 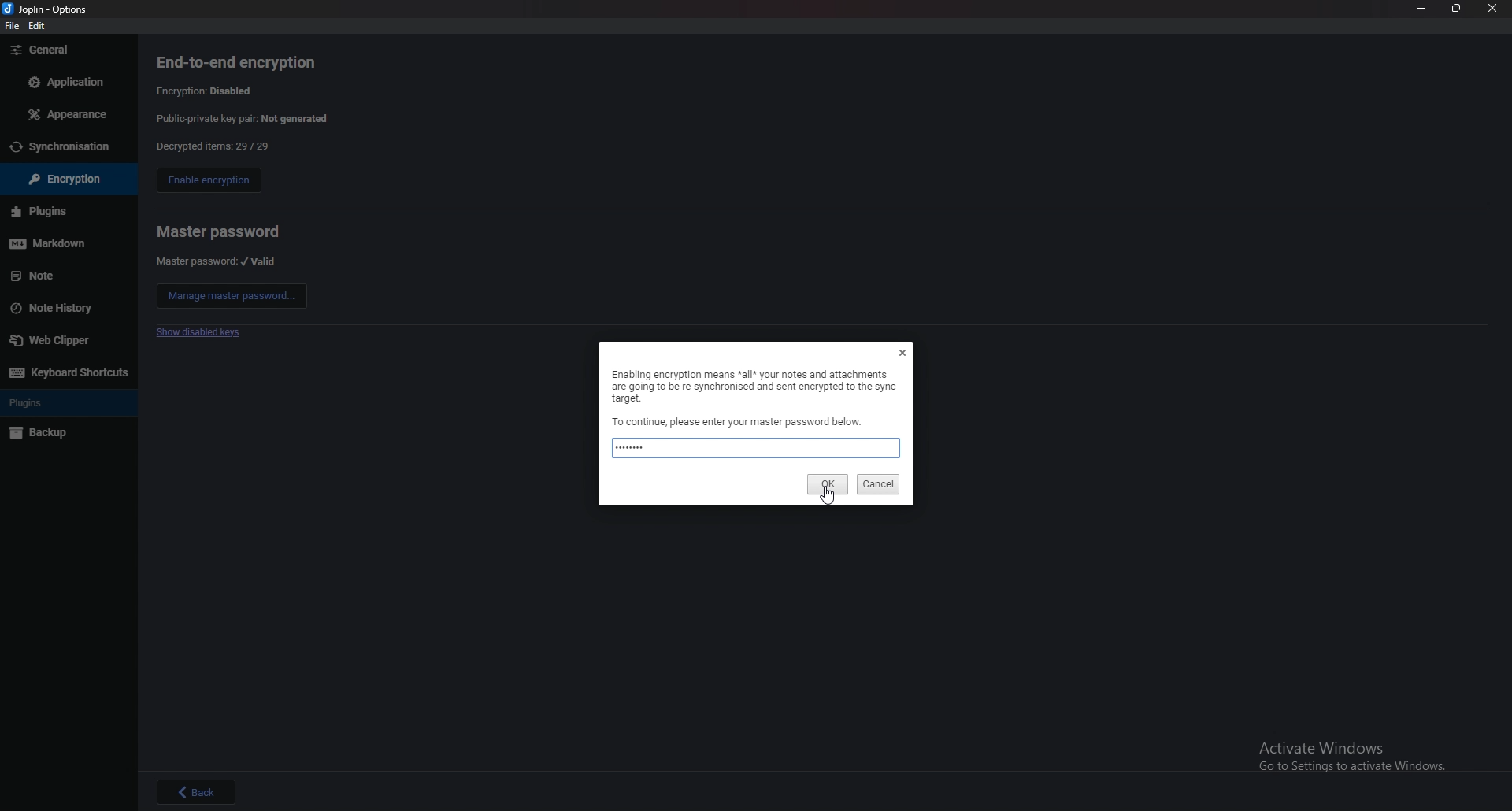 I want to click on , so click(x=61, y=179).